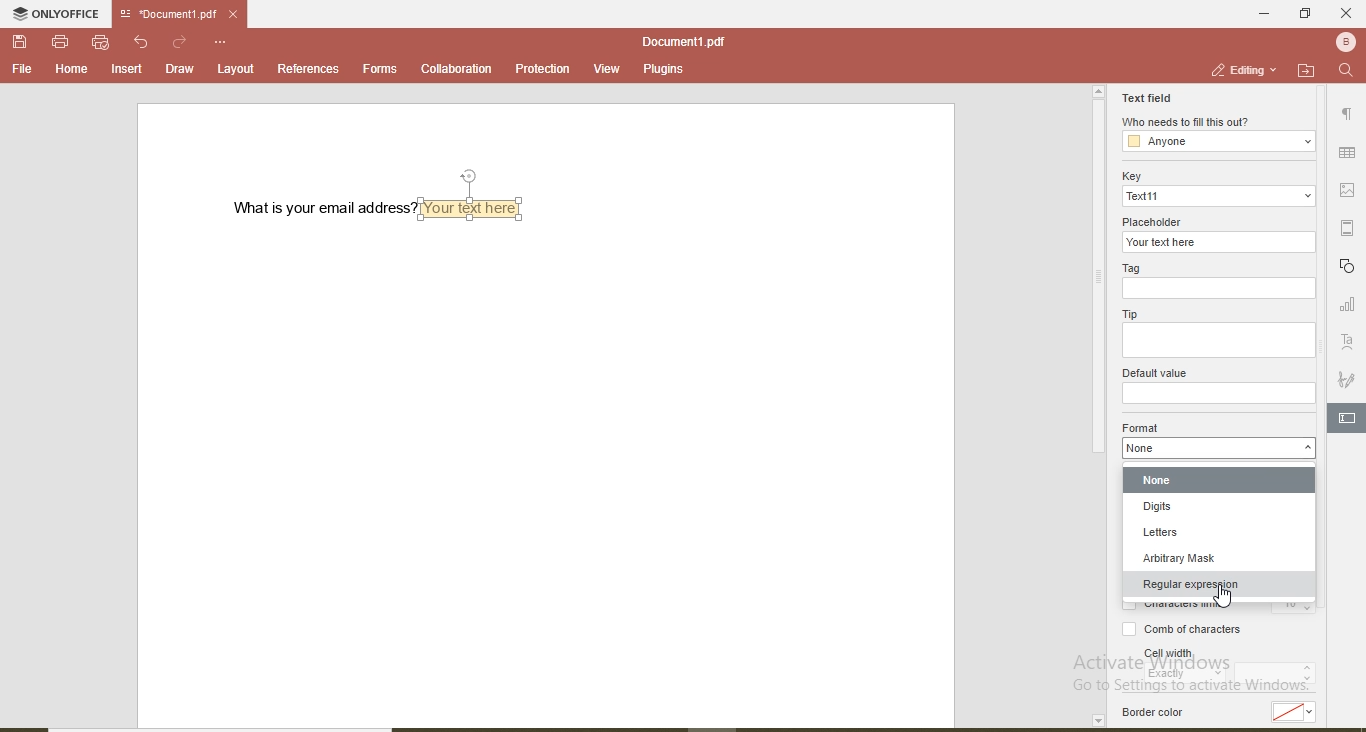 The height and width of the screenshot is (732, 1366). What do you see at coordinates (1299, 711) in the screenshot?
I see `color selector` at bounding box center [1299, 711].